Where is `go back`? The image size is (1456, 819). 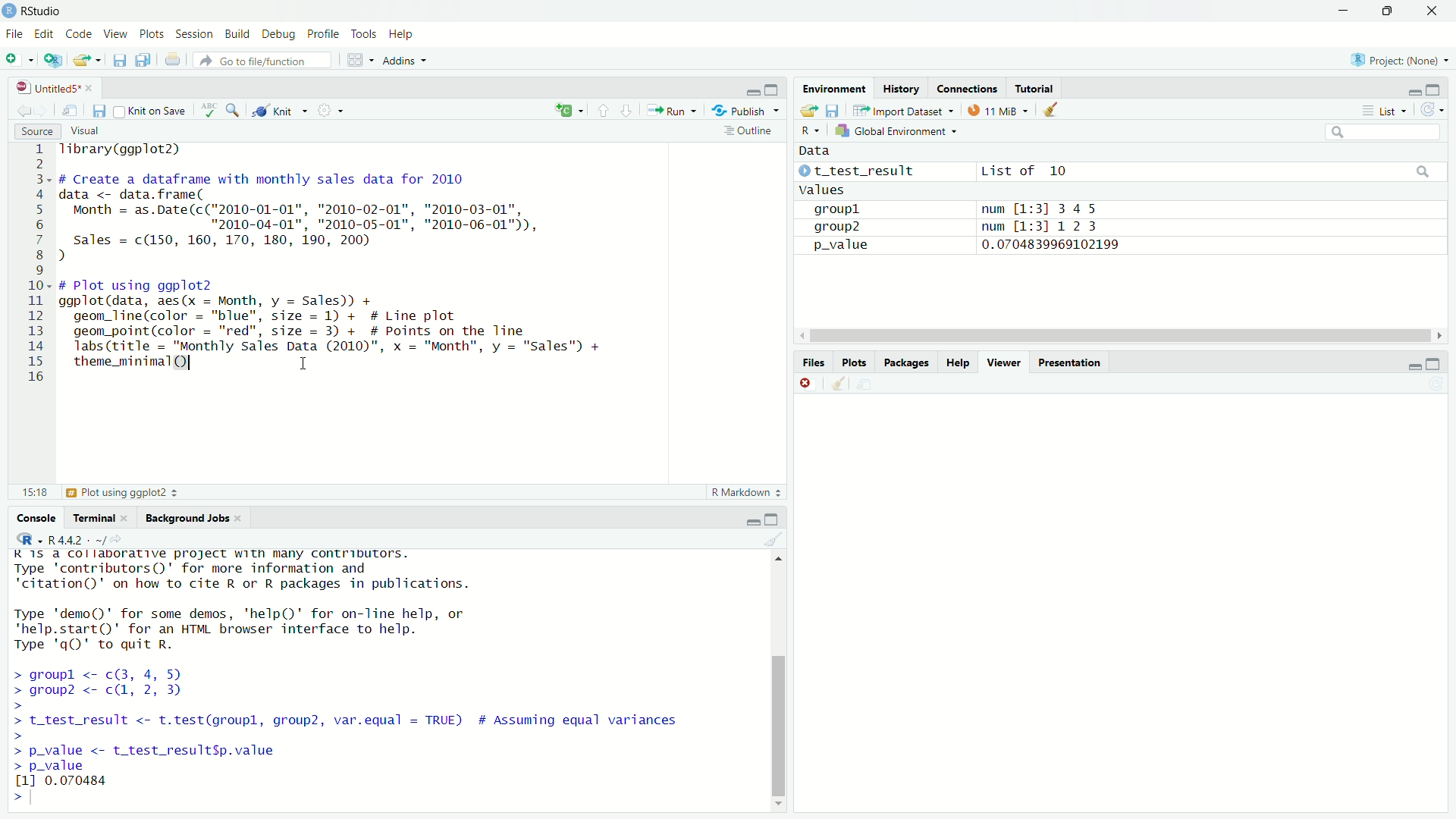
go back is located at coordinates (30, 109).